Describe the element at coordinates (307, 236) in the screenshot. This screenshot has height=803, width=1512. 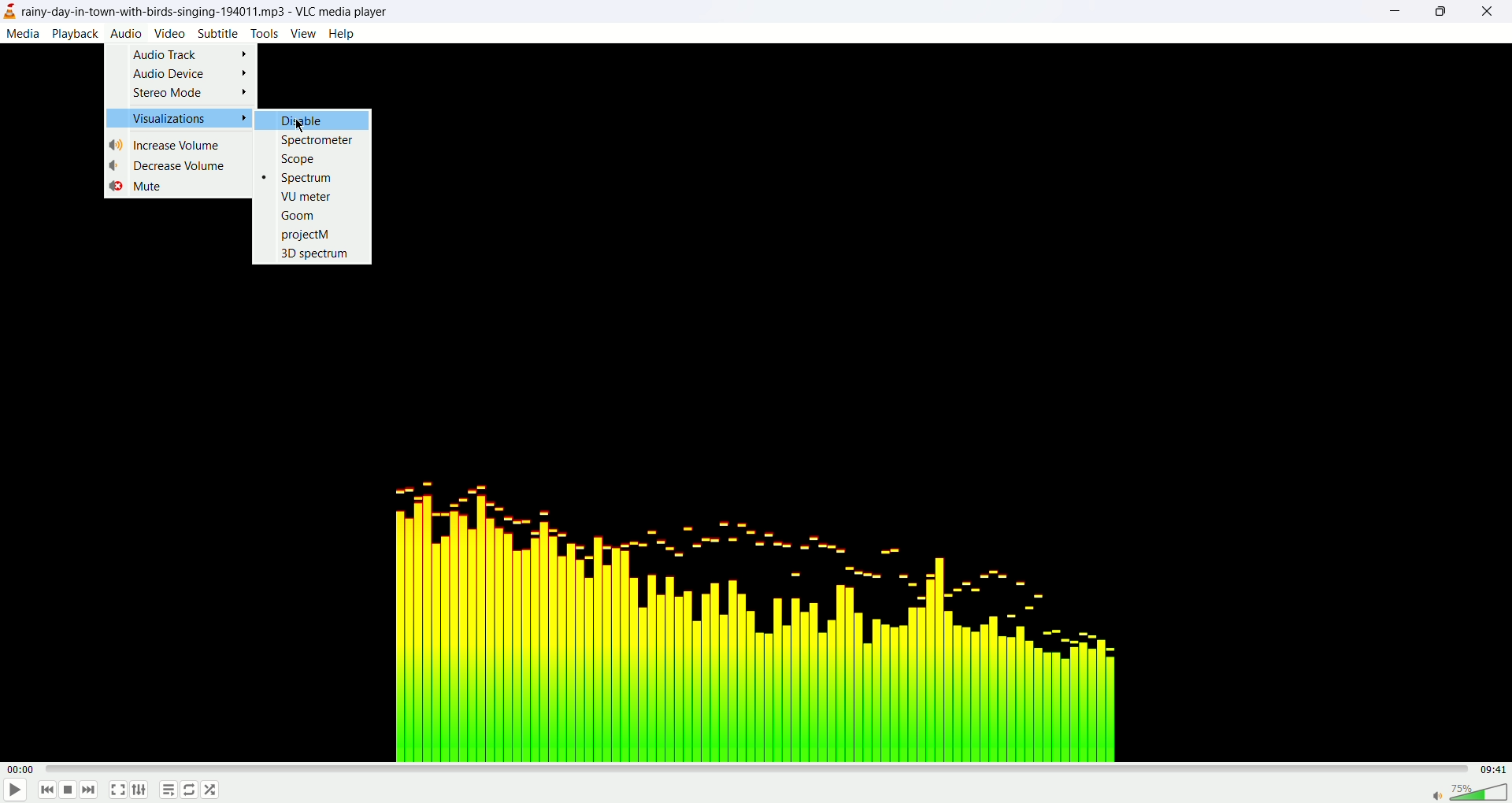
I see `projectM` at that location.